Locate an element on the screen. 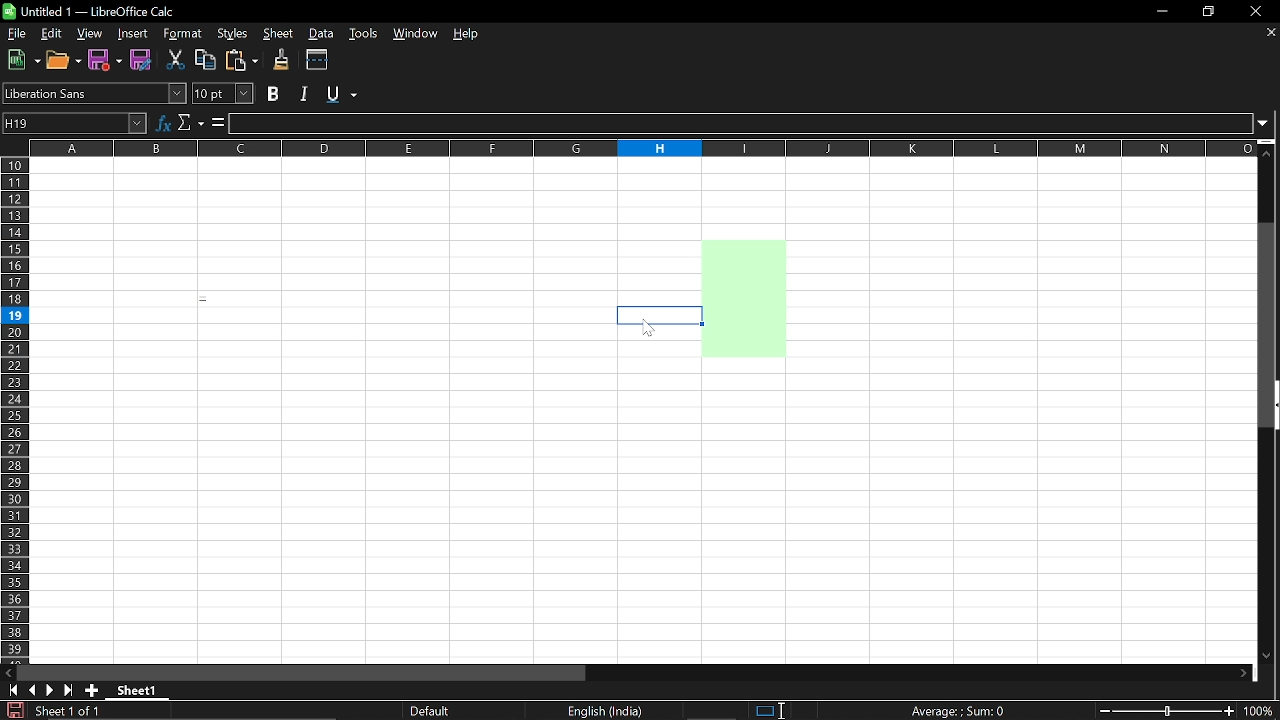 This screenshot has width=1280, height=720. Current Zoom is located at coordinates (1262, 712).